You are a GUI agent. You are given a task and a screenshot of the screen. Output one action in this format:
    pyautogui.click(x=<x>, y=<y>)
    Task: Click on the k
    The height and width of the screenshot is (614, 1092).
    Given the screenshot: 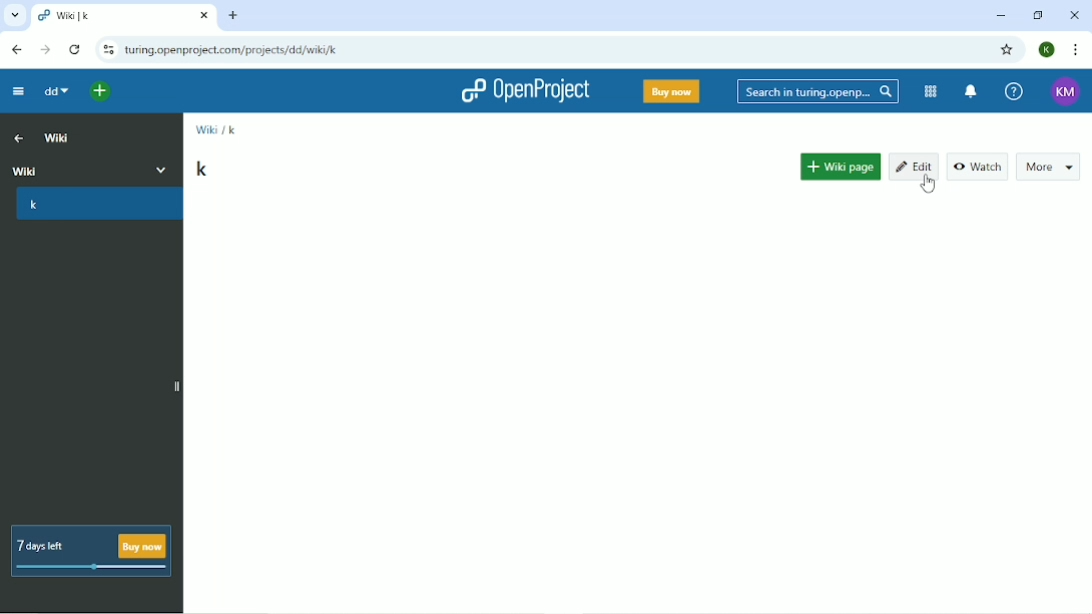 What is the action you would take?
    pyautogui.click(x=96, y=207)
    